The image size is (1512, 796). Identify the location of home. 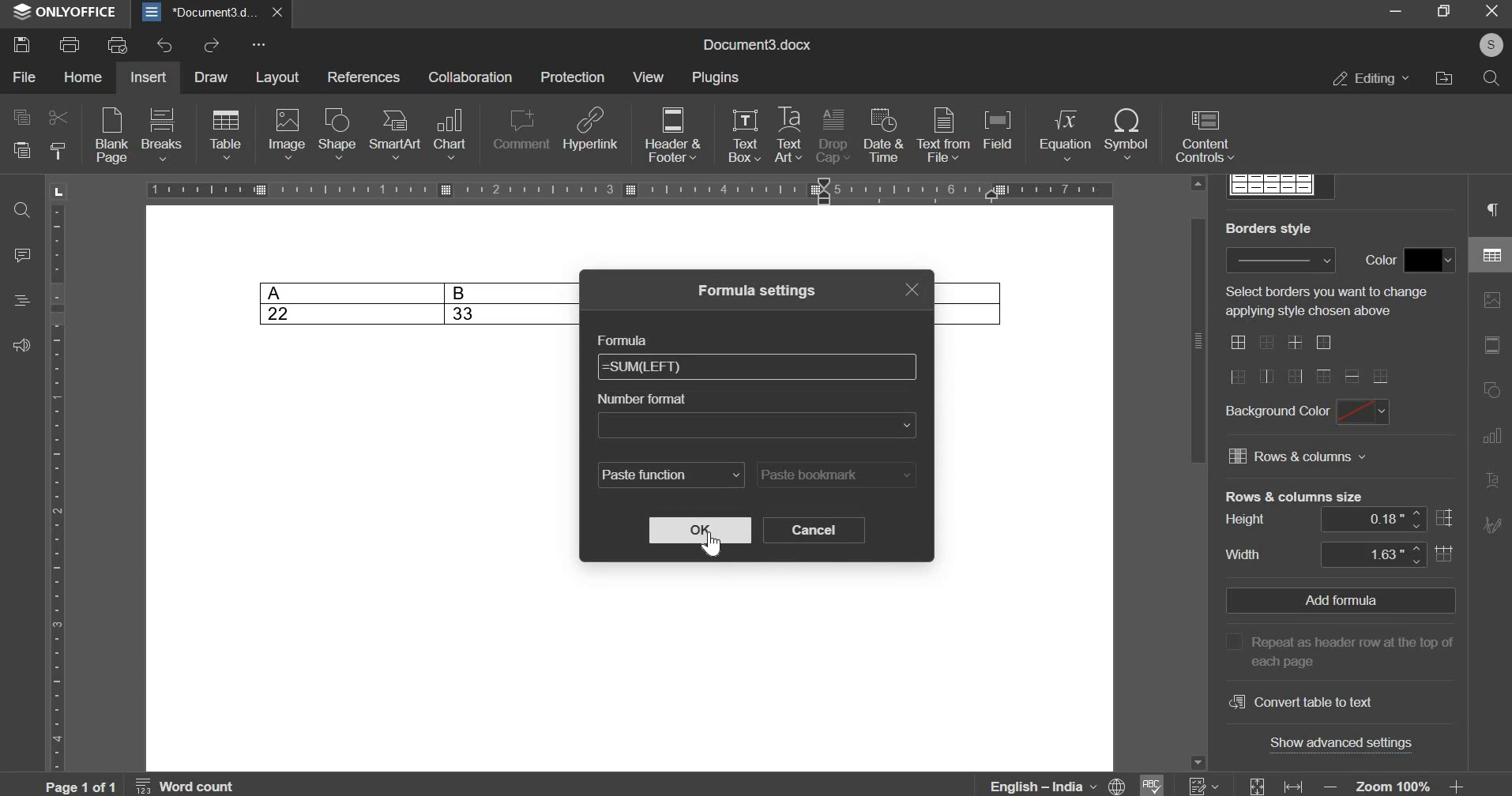
(82, 78).